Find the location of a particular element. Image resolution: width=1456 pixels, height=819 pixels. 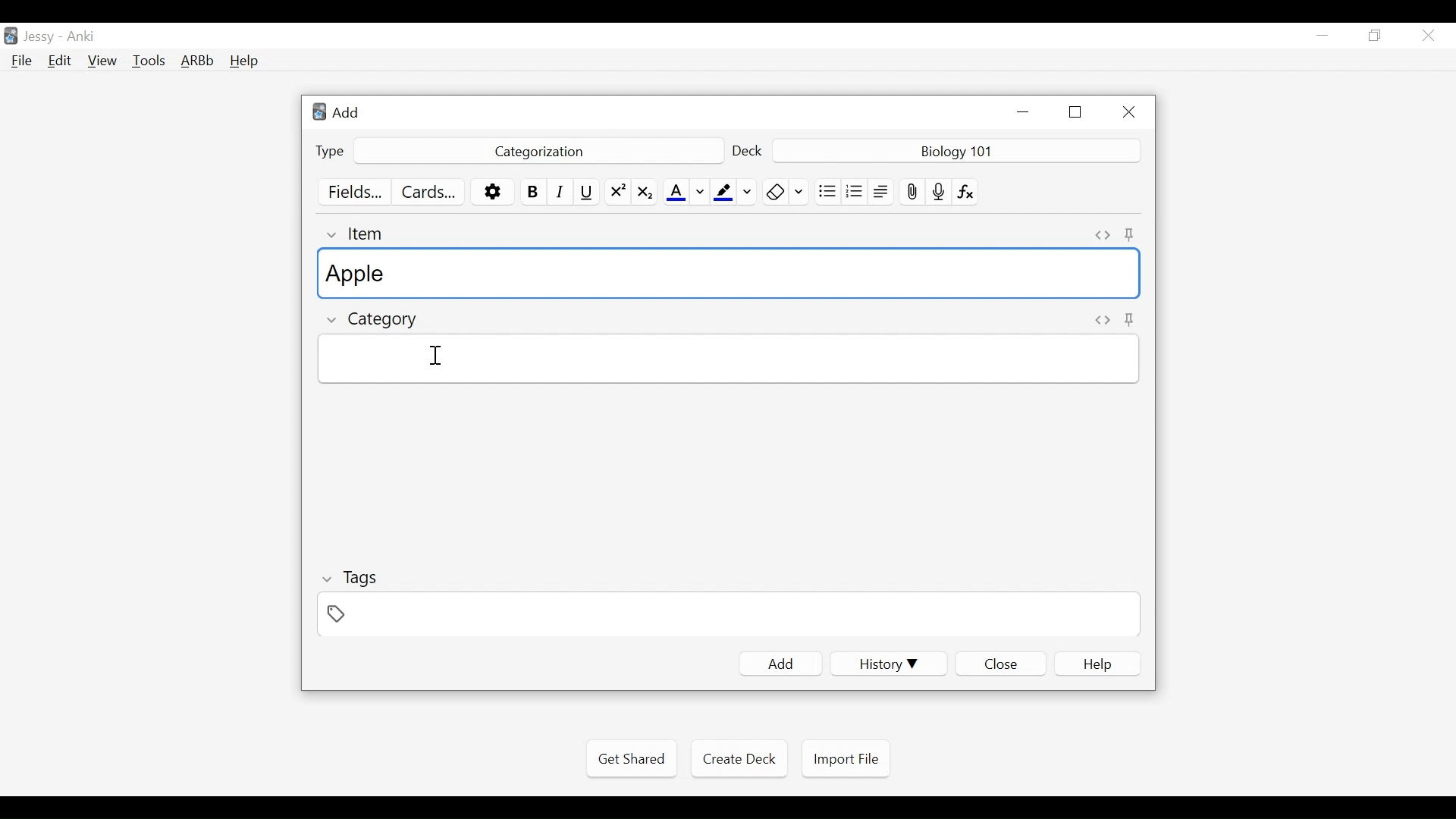

File is located at coordinates (22, 62).